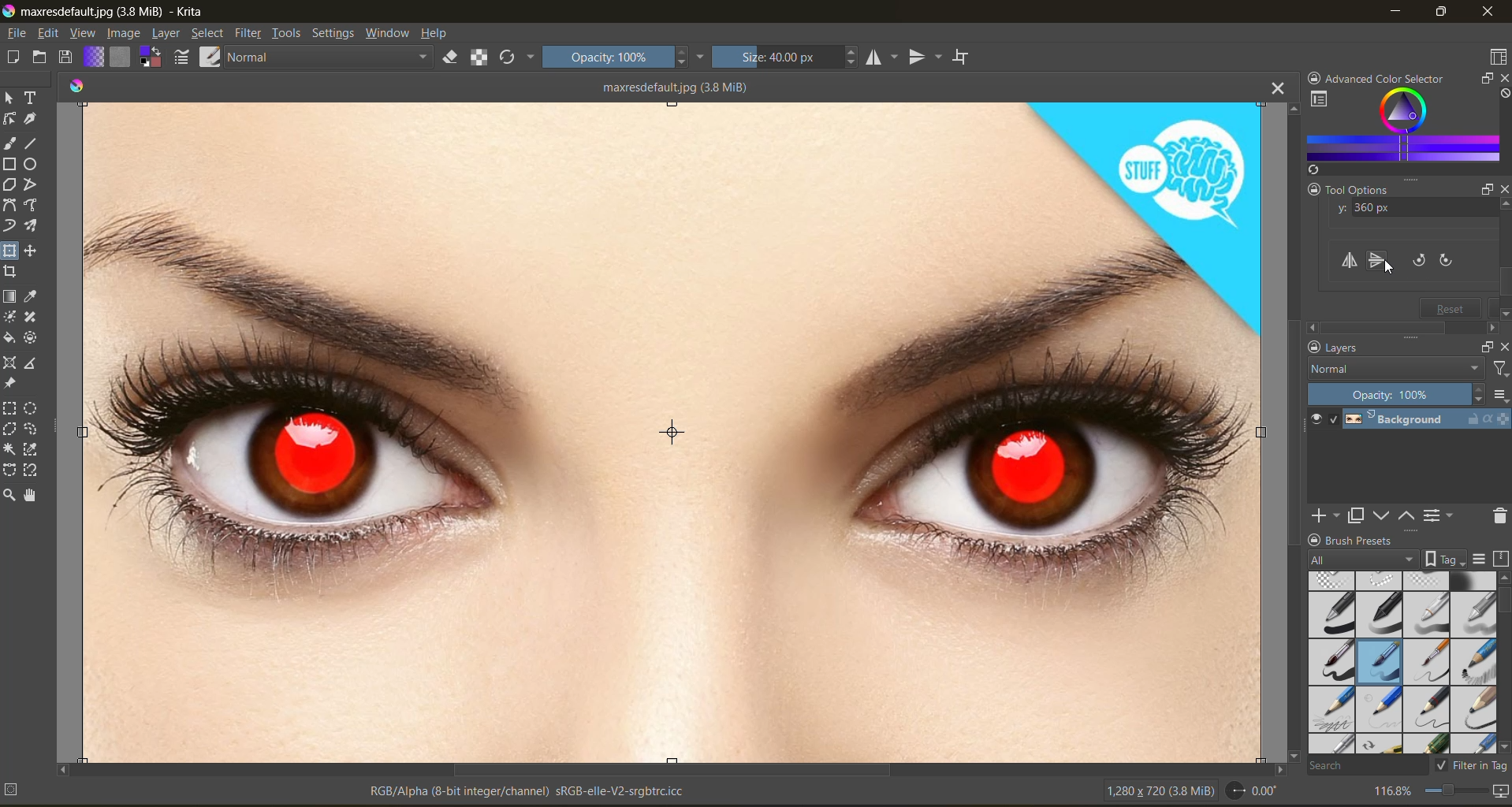  Describe the element at coordinates (1445, 558) in the screenshot. I see `show tag box` at that location.